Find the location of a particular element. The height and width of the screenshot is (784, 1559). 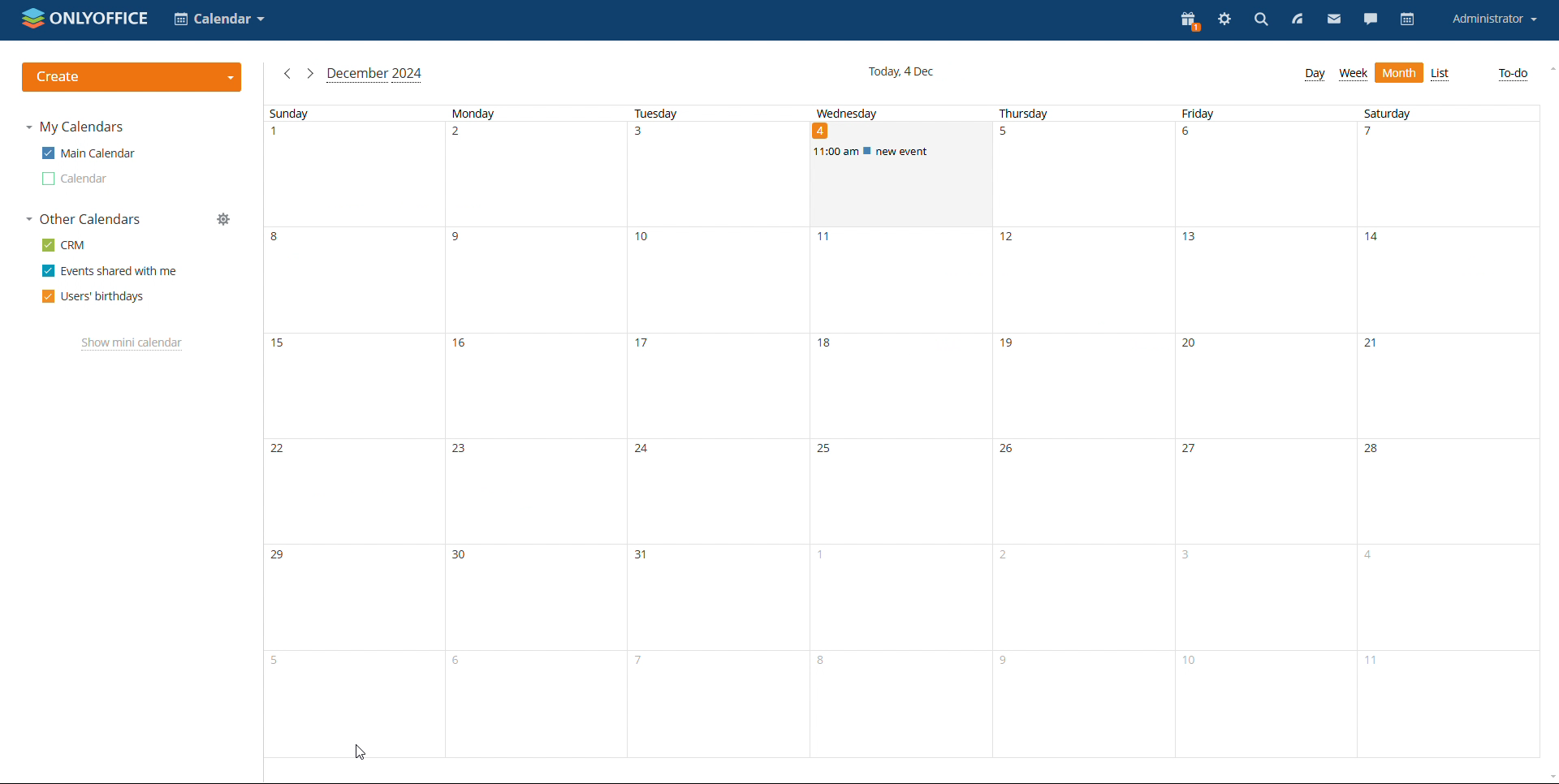

select application is located at coordinates (218, 19).